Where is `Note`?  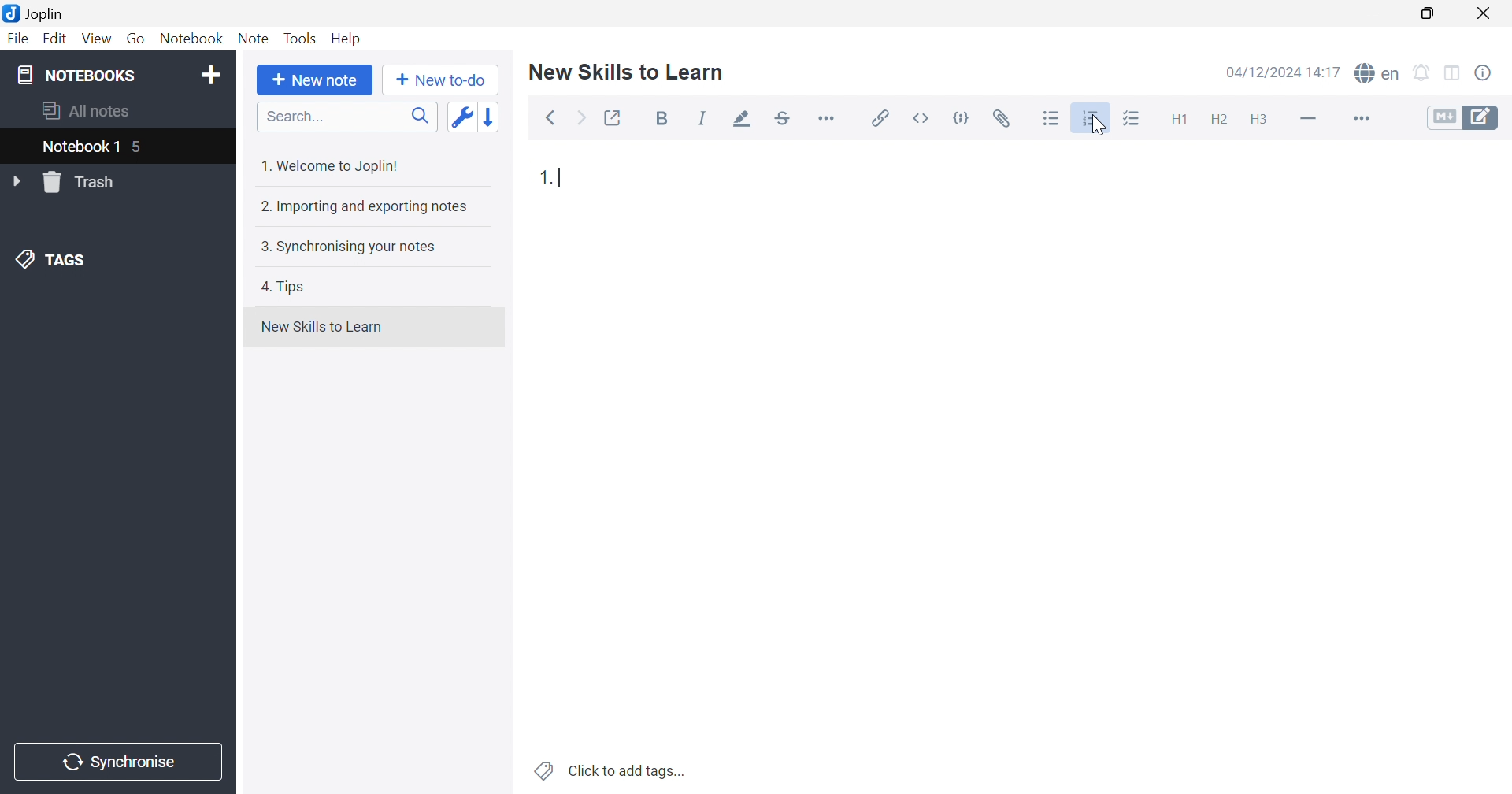 Note is located at coordinates (254, 39).